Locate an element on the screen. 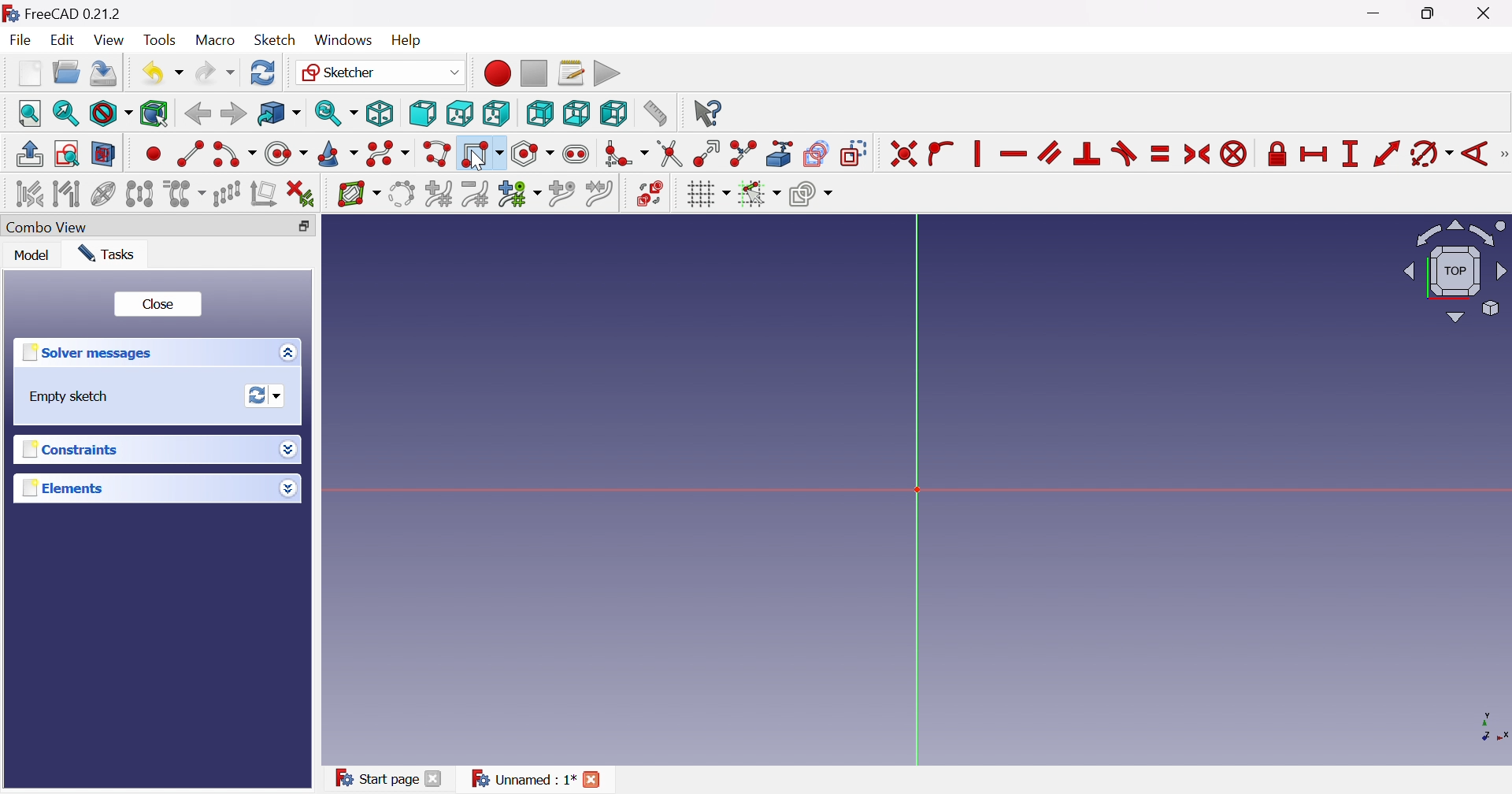  Constrain distance is located at coordinates (1386, 154).